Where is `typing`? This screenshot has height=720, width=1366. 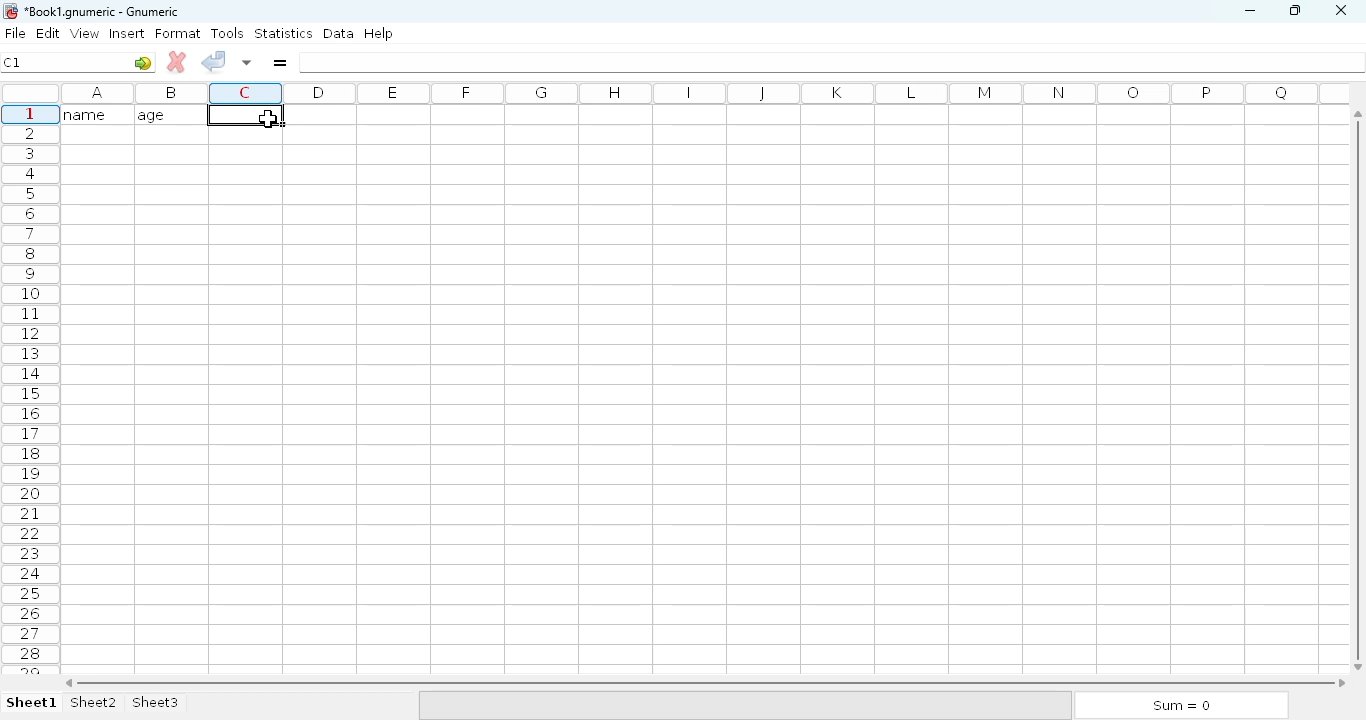
typing is located at coordinates (267, 119).